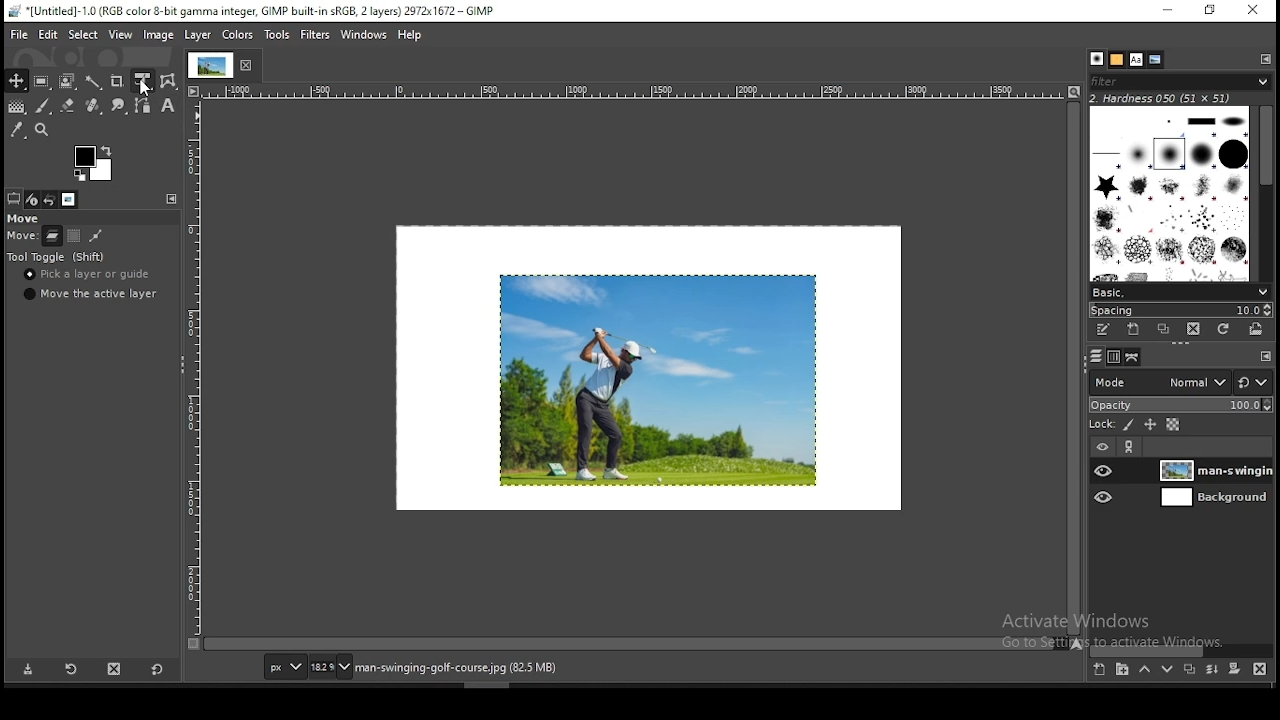 The height and width of the screenshot is (720, 1280). I want to click on units, so click(284, 667).